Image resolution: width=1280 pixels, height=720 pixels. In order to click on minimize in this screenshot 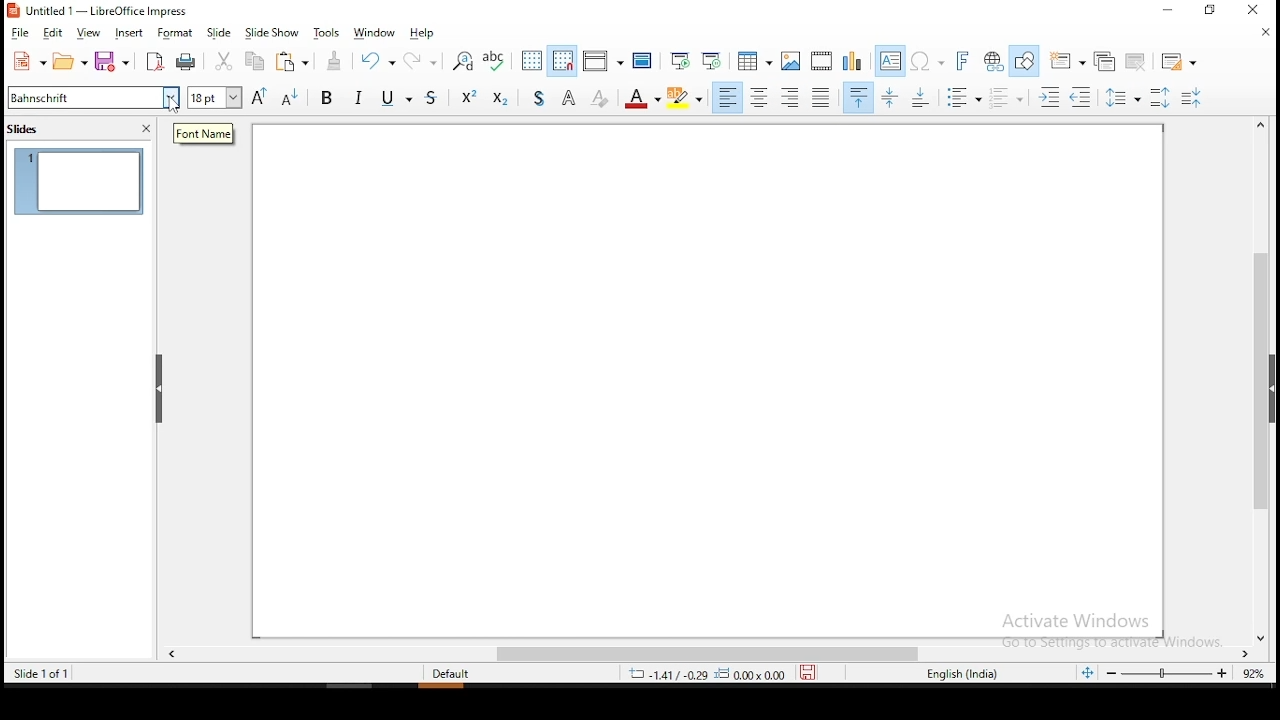, I will do `click(1167, 11)`.